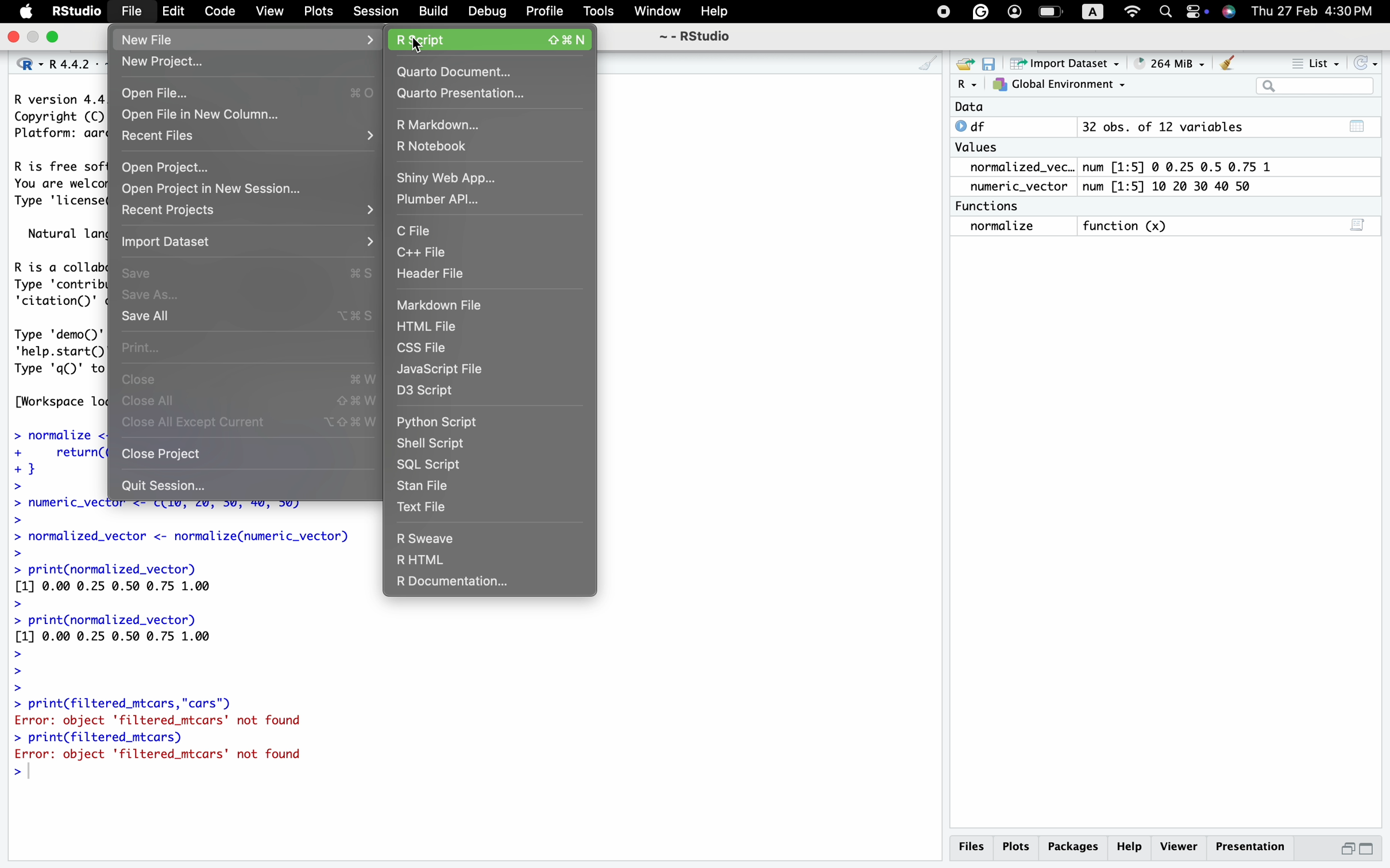 This screenshot has width=1390, height=868. I want to click on javascript file, so click(490, 369).